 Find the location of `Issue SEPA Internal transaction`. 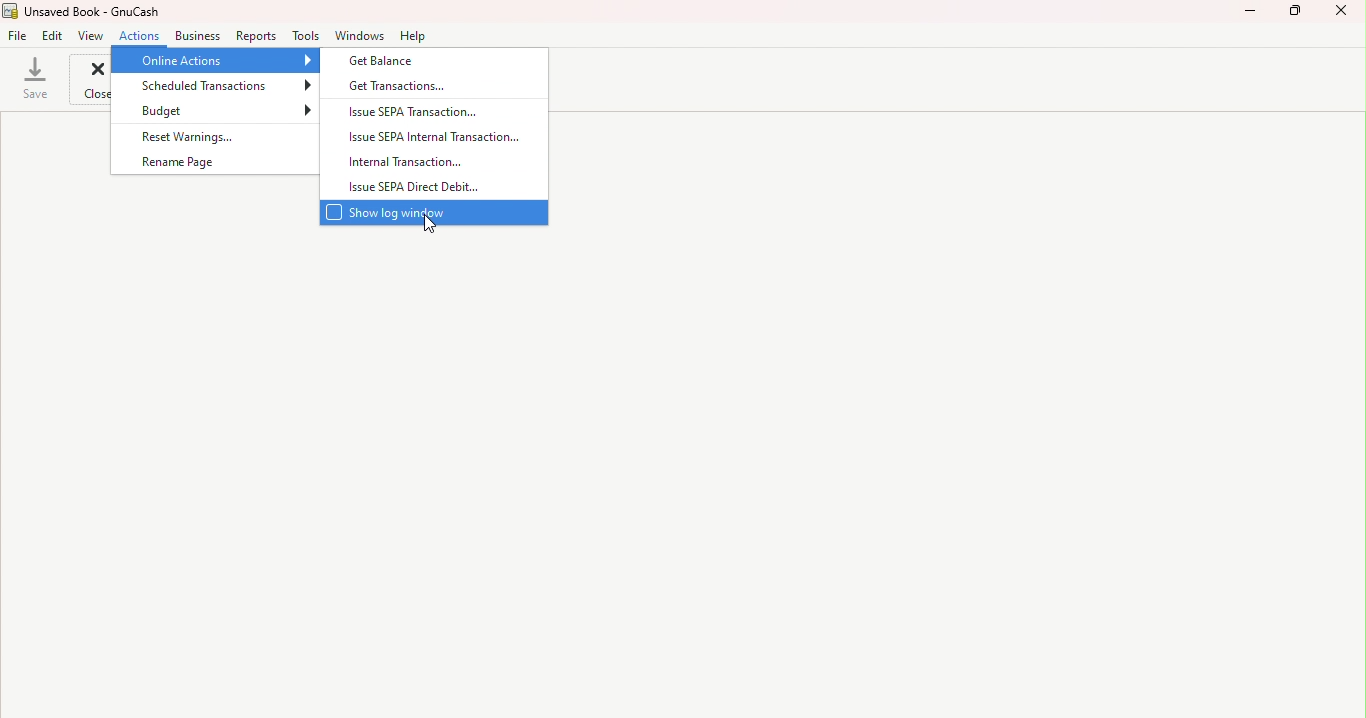

Issue SEPA Internal transaction is located at coordinates (431, 136).